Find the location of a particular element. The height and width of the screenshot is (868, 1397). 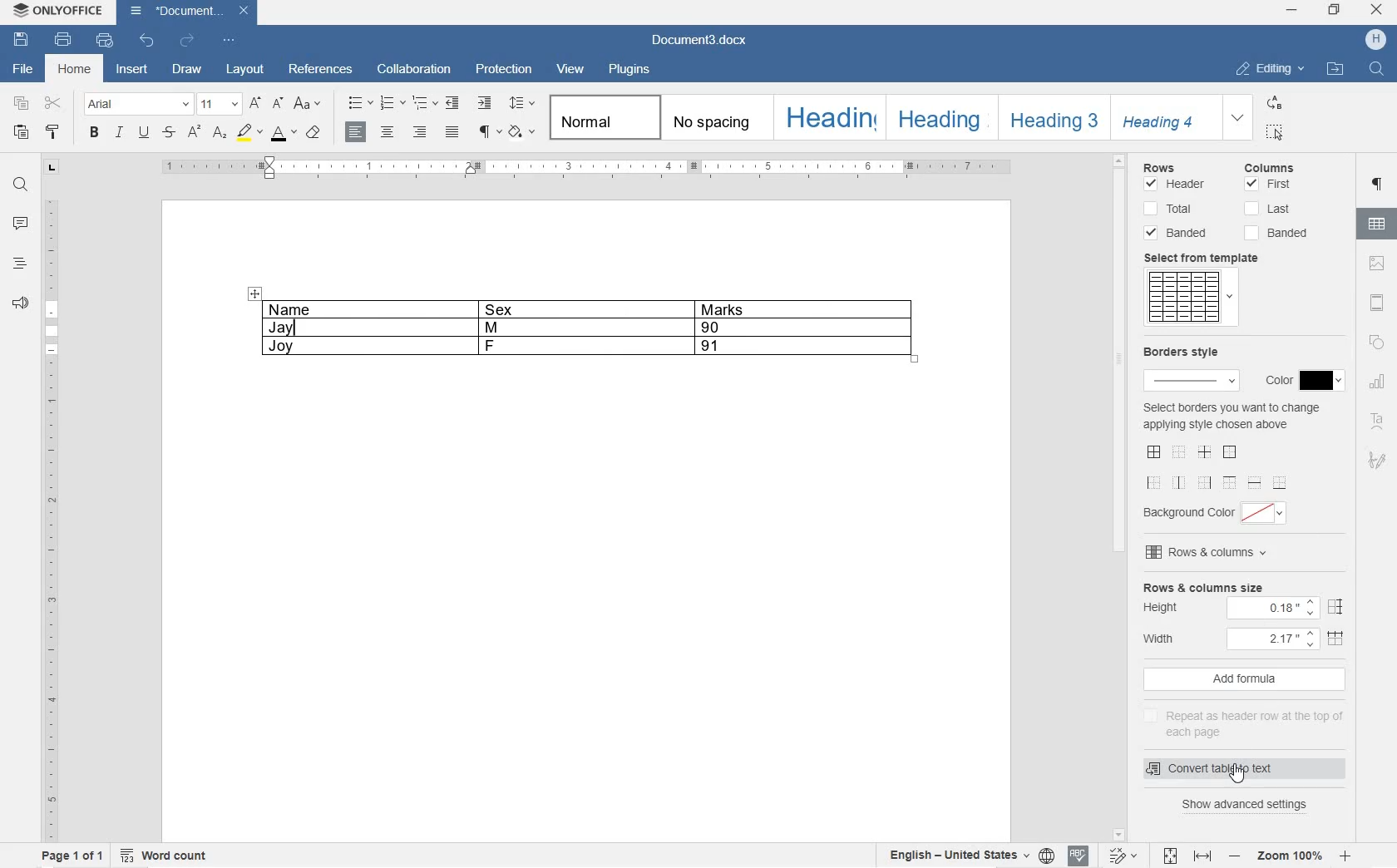

ALIGN LEFT is located at coordinates (358, 132).